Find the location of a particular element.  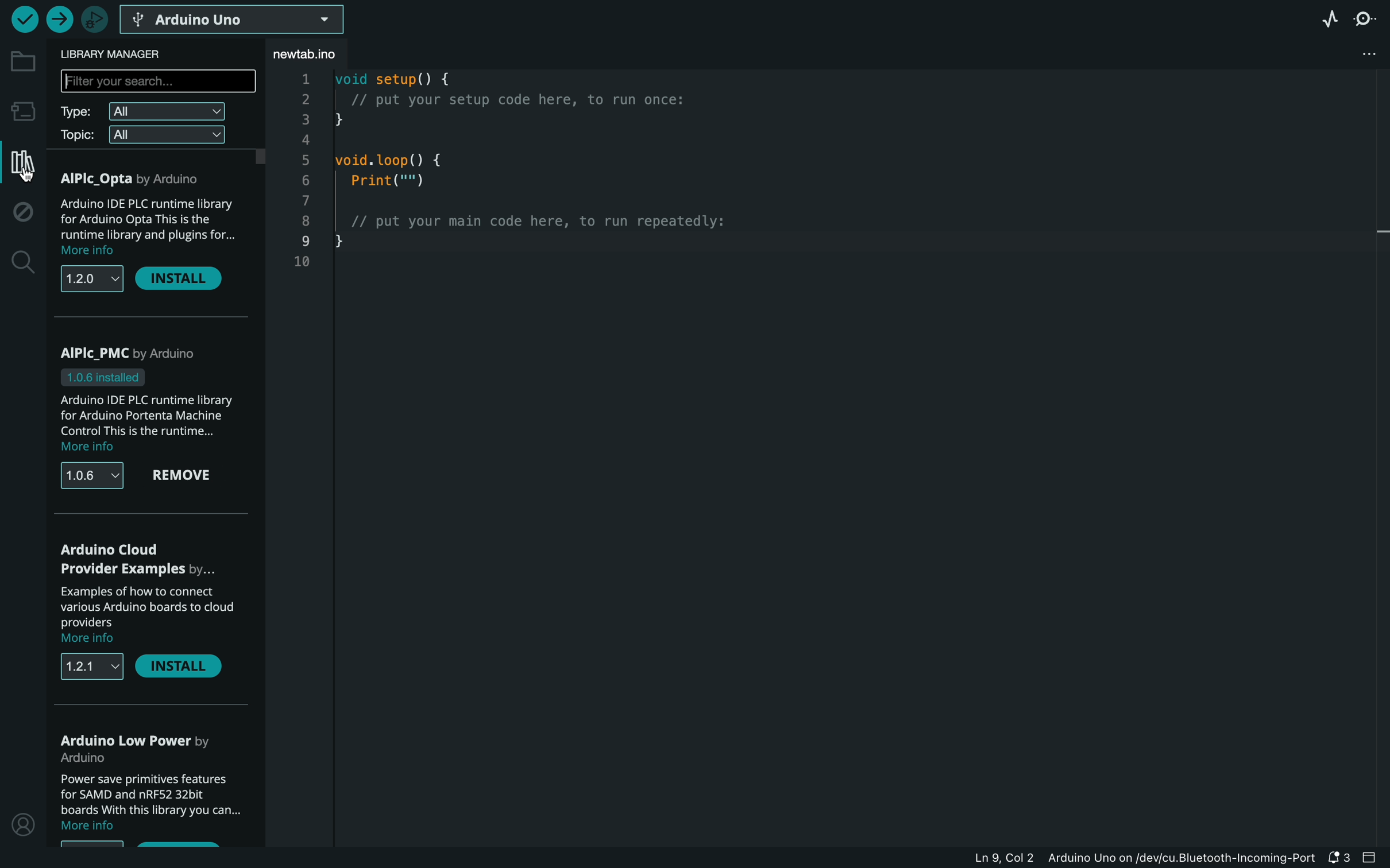

serial plotter is located at coordinates (1326, 17).